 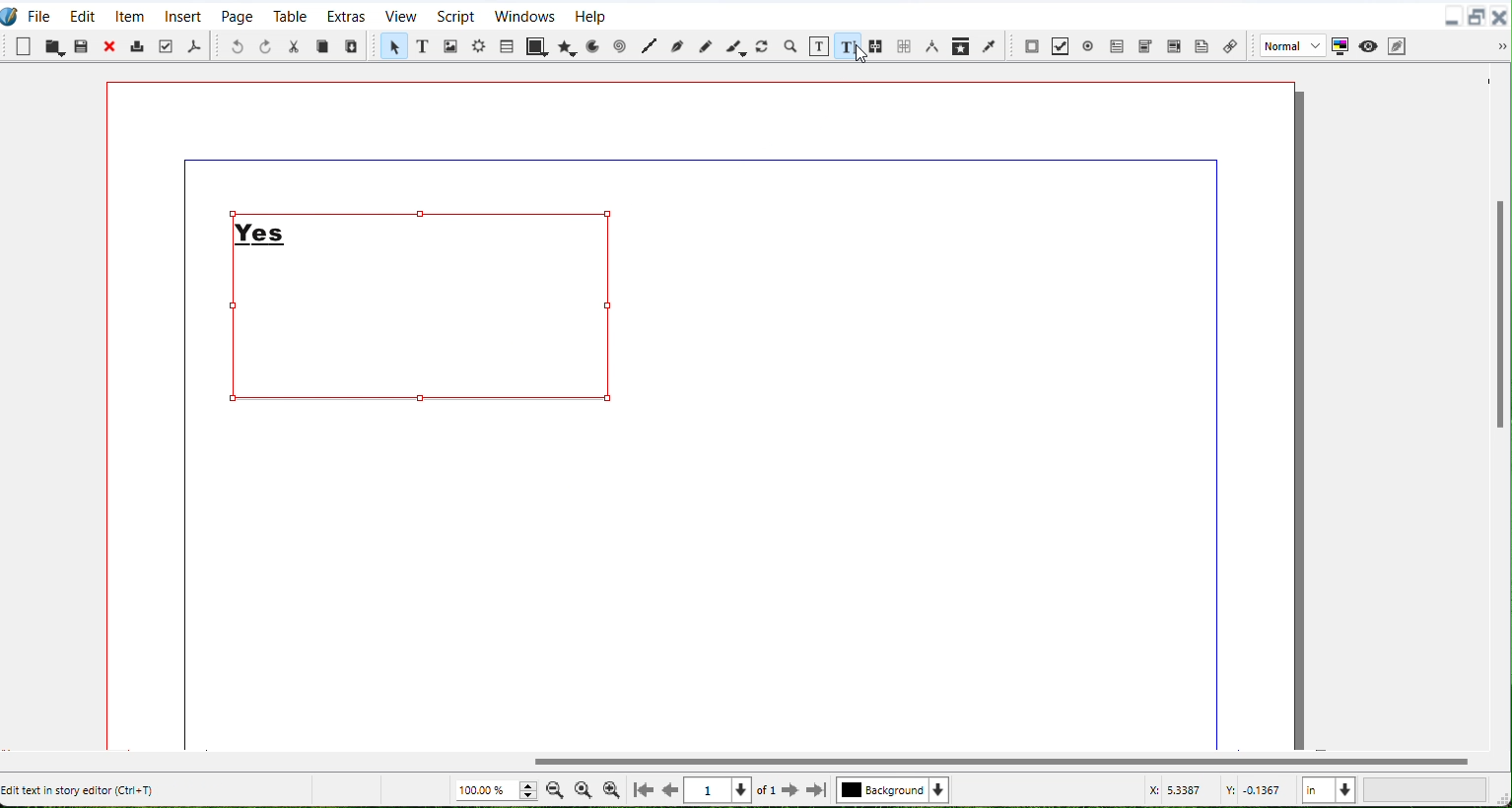 I want to click on Script, so click(x=456, y=15).